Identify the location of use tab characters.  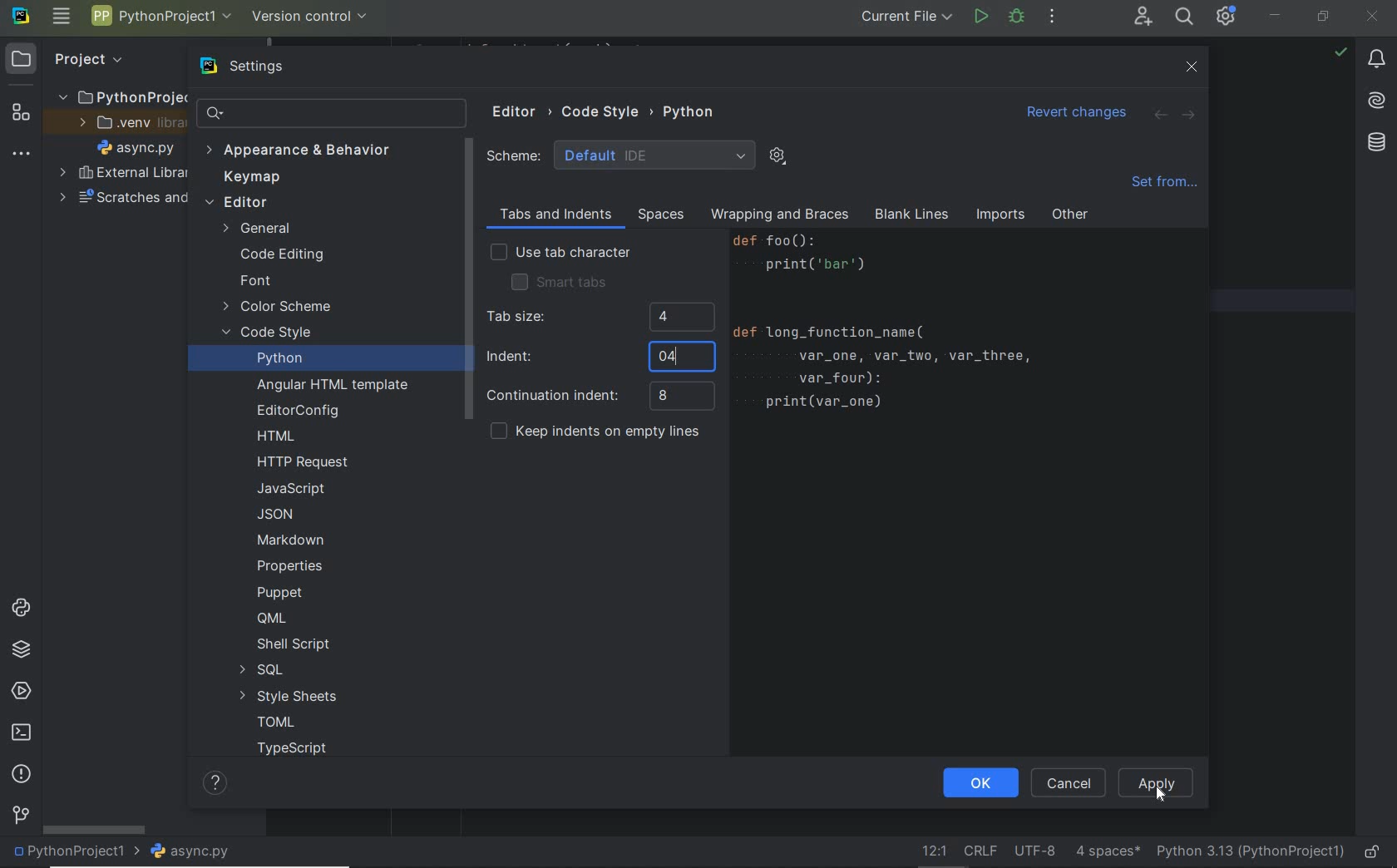
(560, 254).